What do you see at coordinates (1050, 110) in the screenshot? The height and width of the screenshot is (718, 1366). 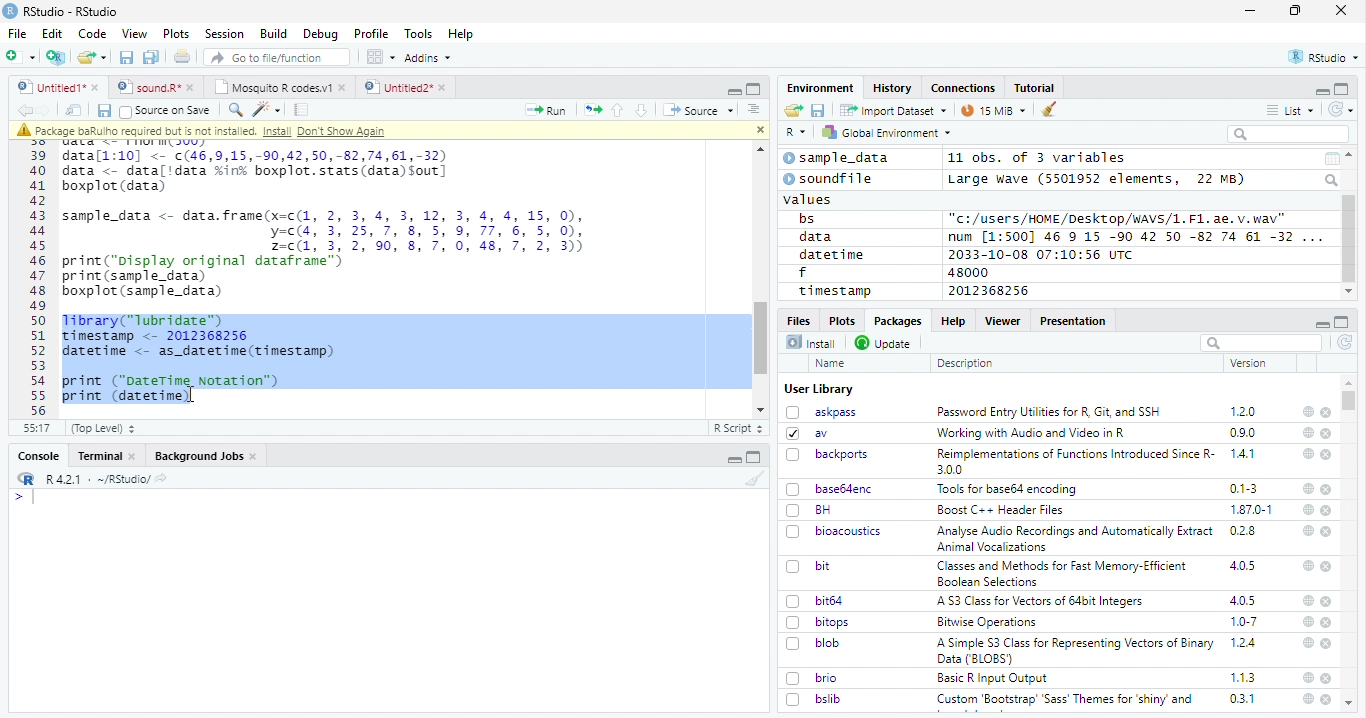 I see `clear workspace` at bounding box center [1050, 110].